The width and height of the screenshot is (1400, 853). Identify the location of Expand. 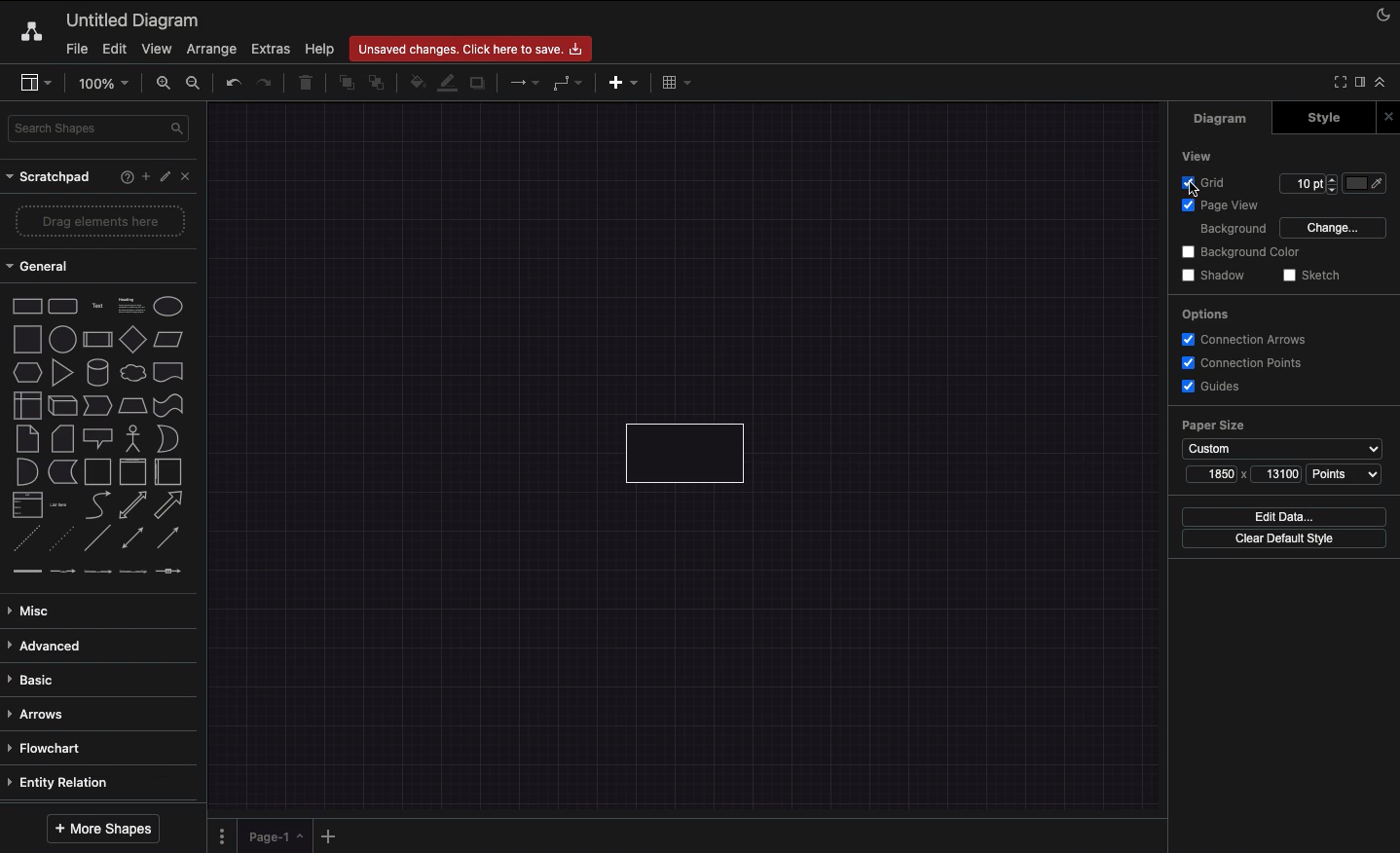
(1360, 82).